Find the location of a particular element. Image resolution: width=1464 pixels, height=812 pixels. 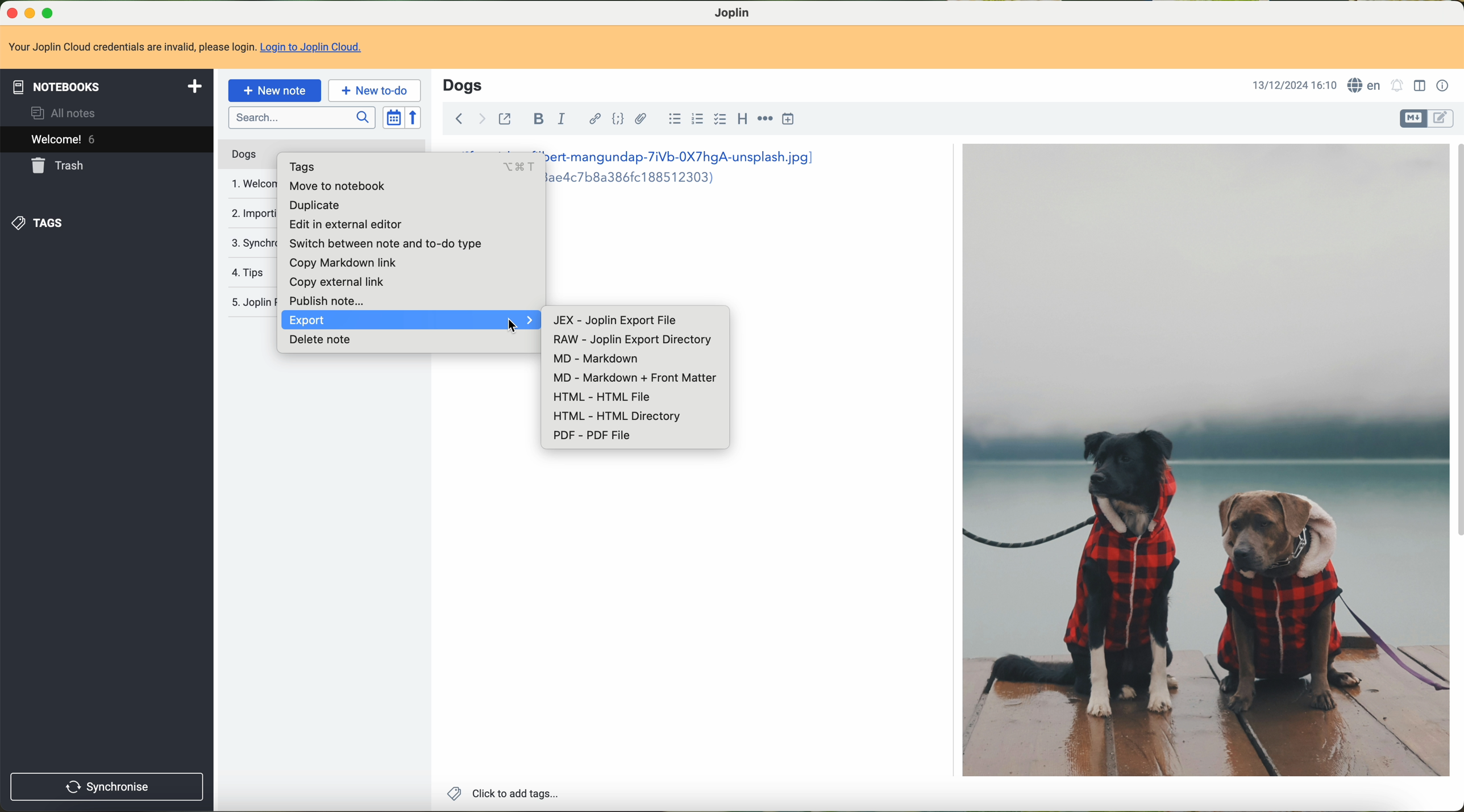

numbered list is located at coordinates (698, 120).